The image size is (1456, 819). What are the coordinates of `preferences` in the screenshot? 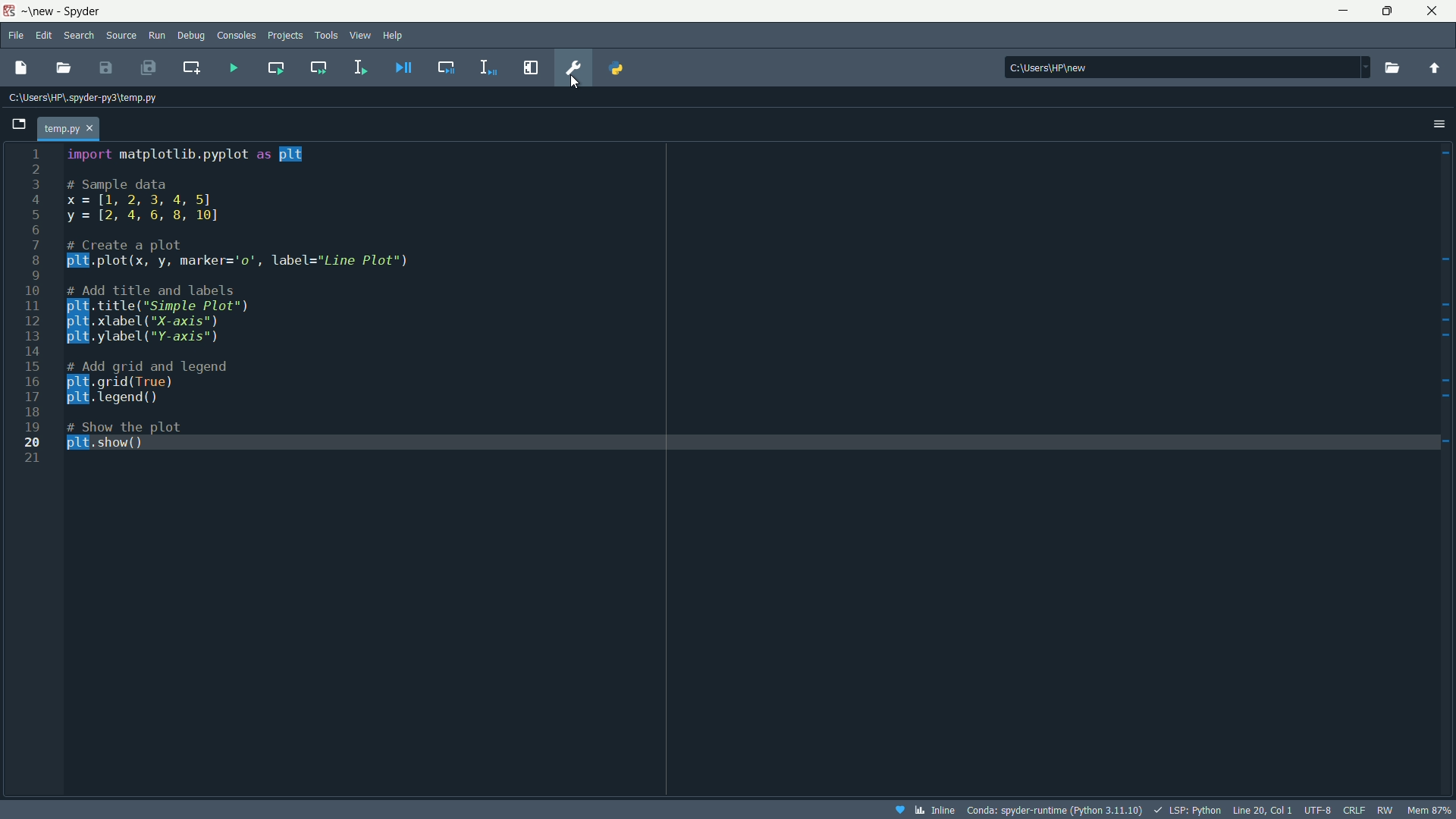 It's located at (575, 67).